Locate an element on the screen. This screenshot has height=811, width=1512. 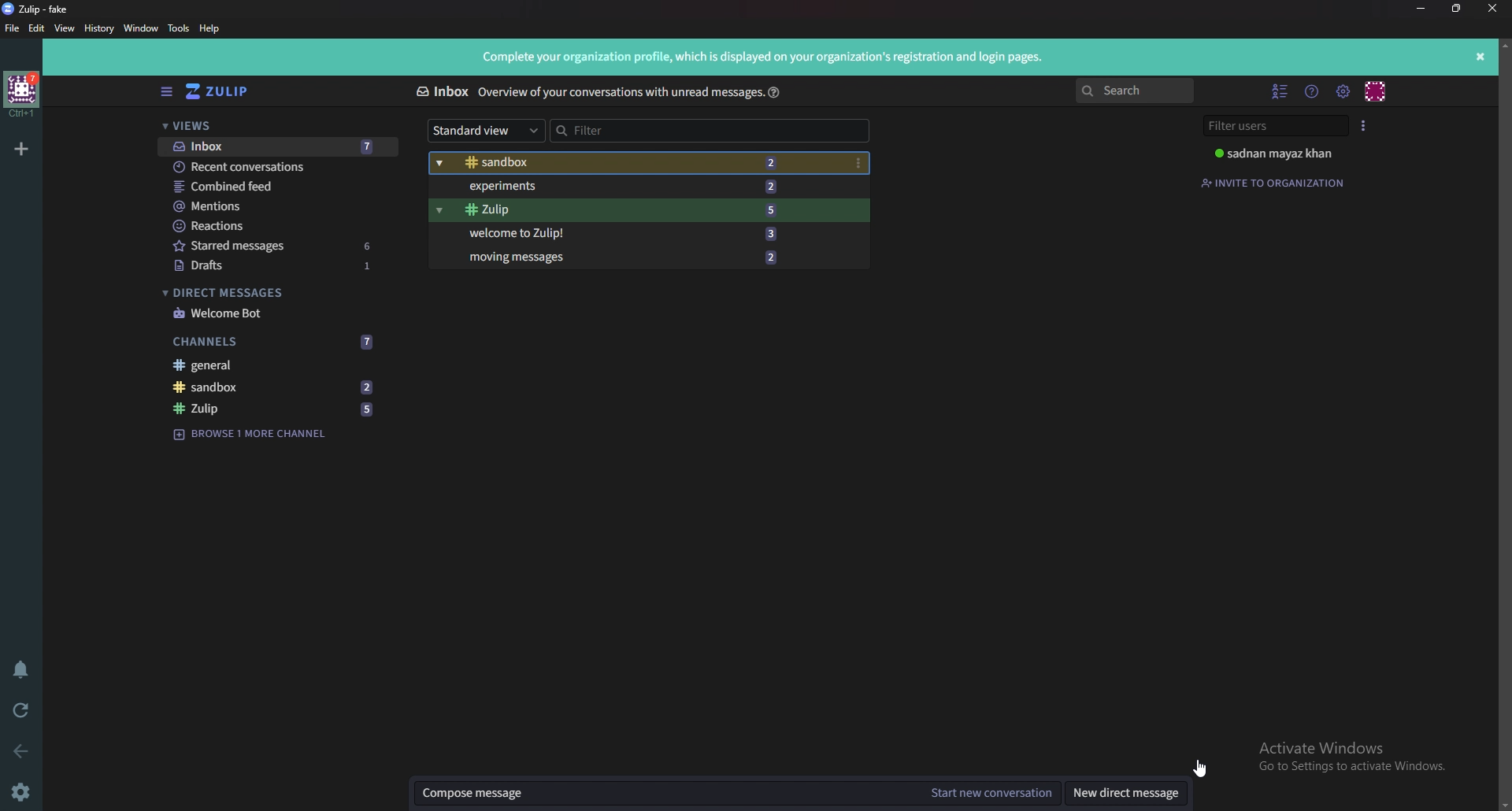
Mentions is located at coordinates (279, 206).